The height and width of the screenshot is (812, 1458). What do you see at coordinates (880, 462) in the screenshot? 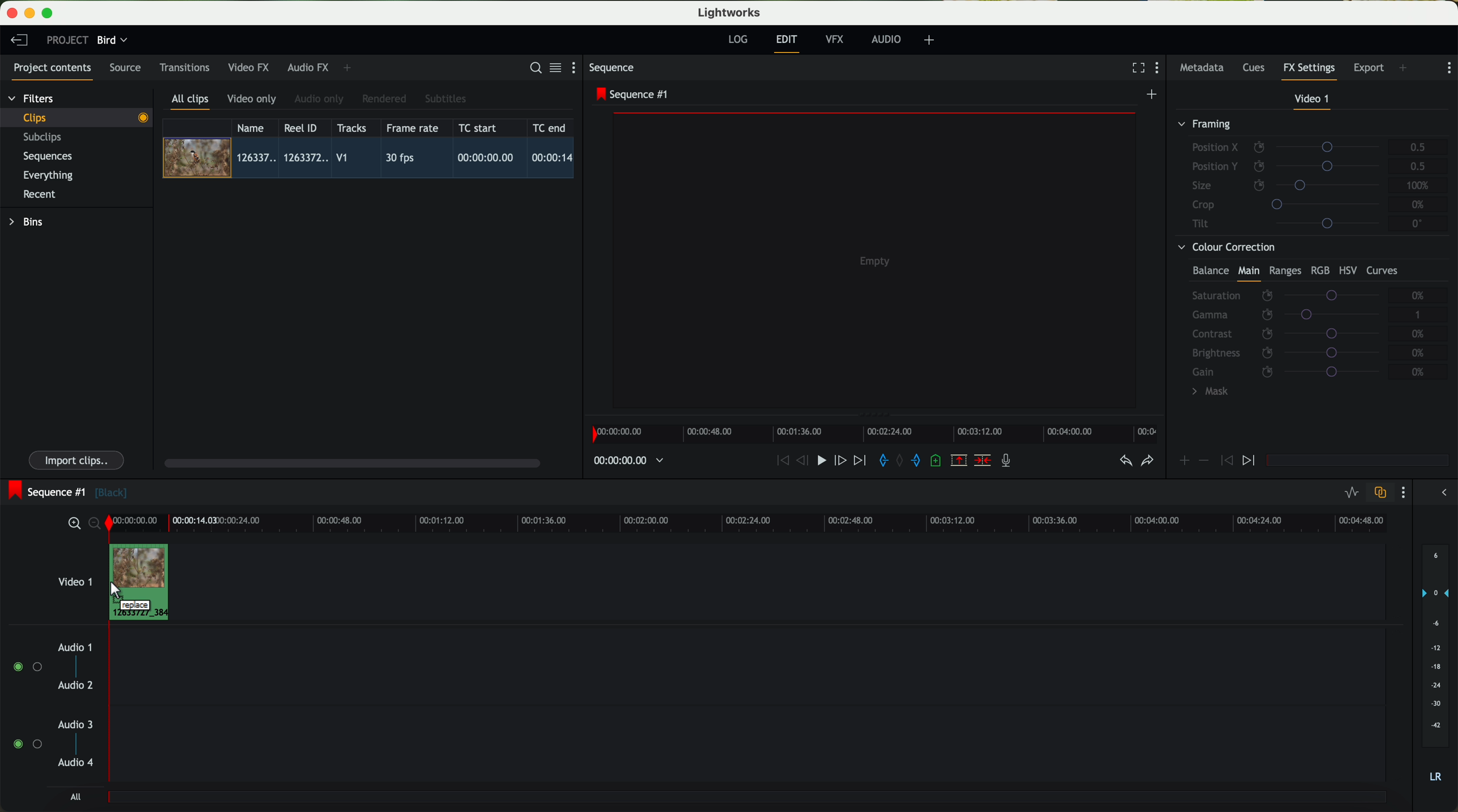
I see `add 'in' mark` at bounding box center [880, 462].